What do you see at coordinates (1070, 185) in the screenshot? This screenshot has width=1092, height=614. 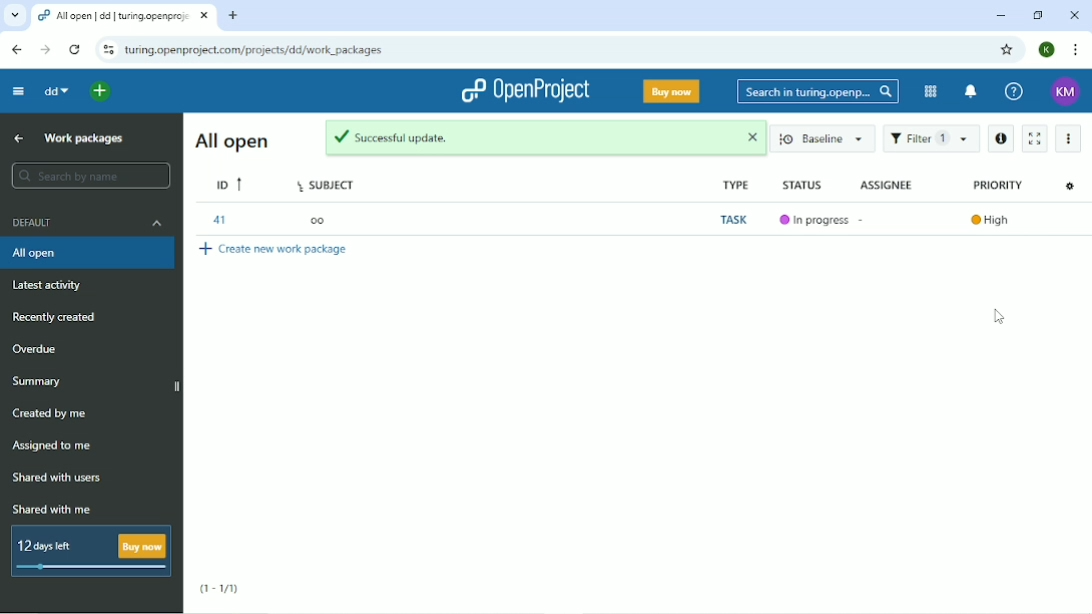 I see `Configure view` at bounding box center [1070, 185].